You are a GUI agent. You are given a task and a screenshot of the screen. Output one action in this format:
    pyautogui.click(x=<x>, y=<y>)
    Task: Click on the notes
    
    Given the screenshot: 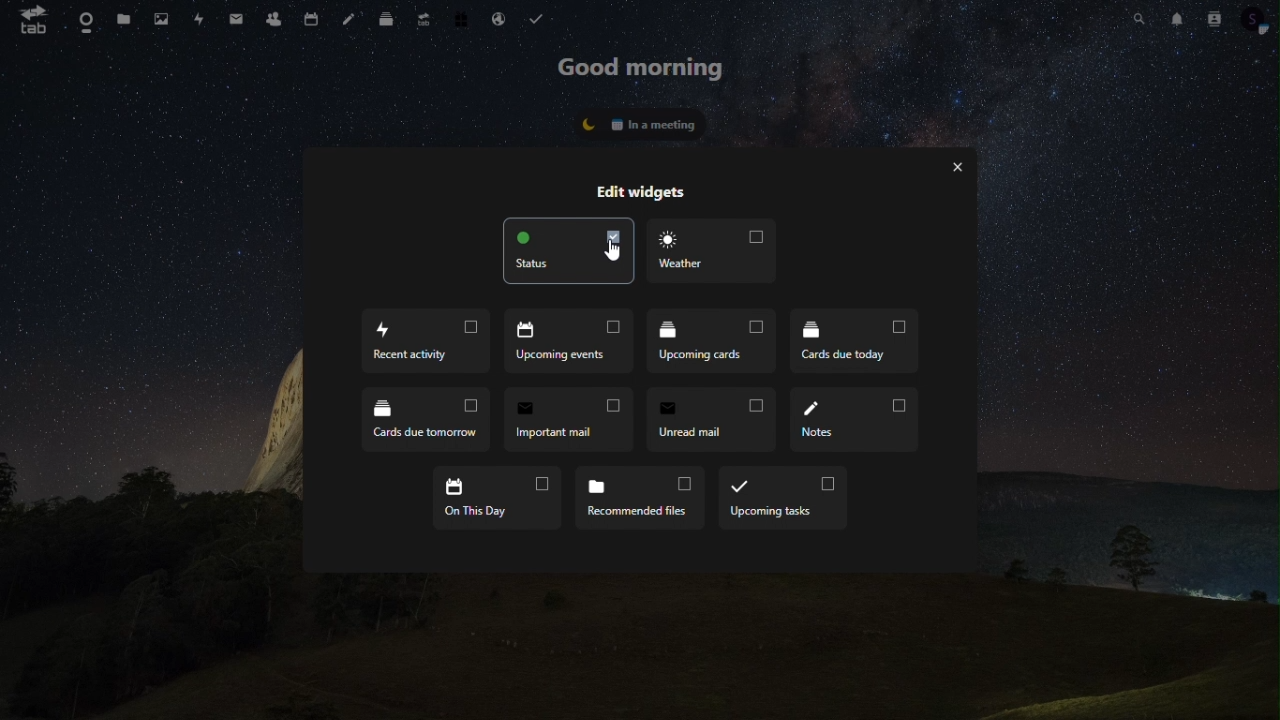 What is the action you would take?
    pyautogui.click(x=857, y=419)
    